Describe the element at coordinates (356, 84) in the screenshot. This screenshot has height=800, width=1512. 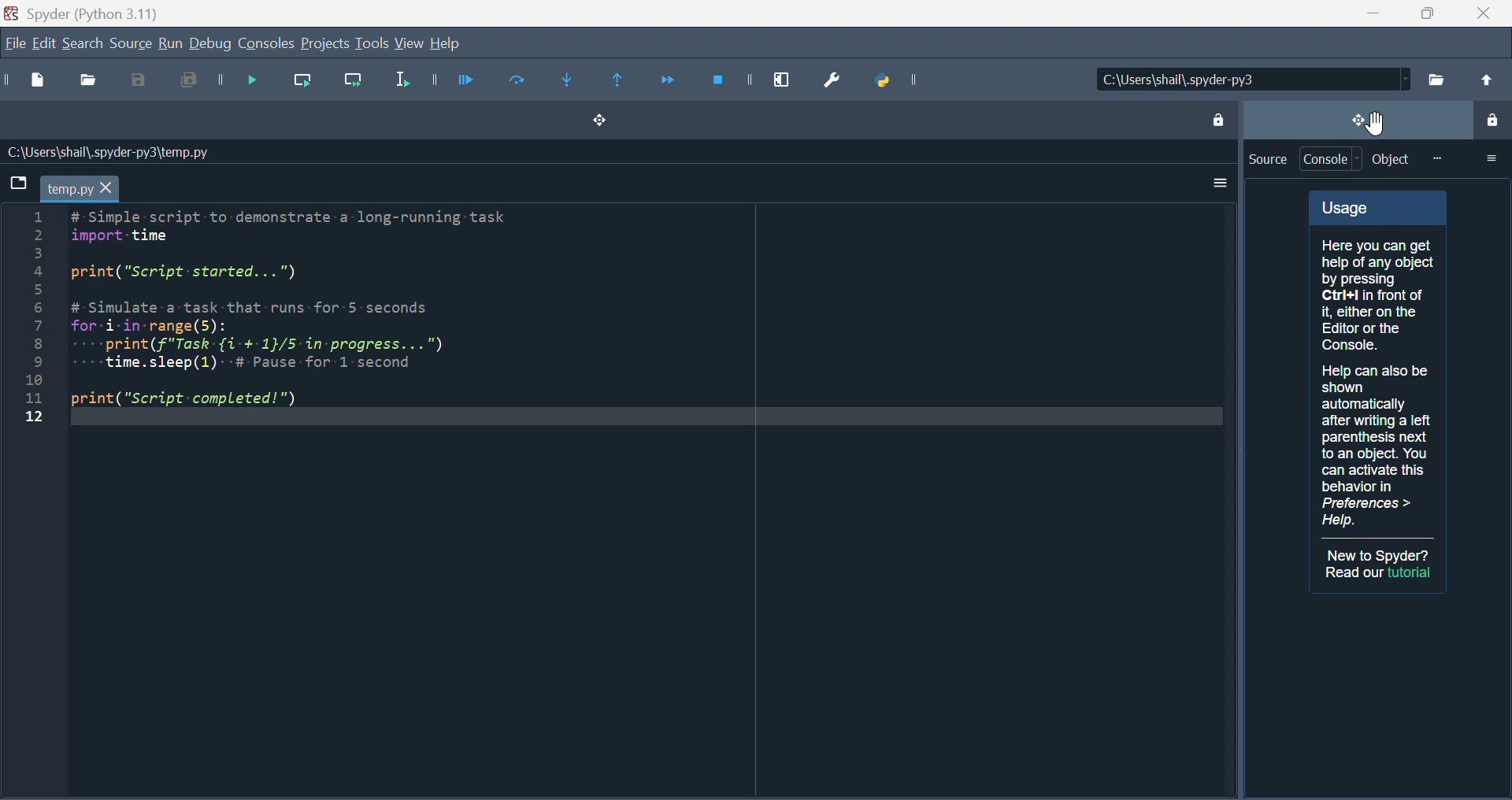
I see `run current line and go to the next one` at that location.